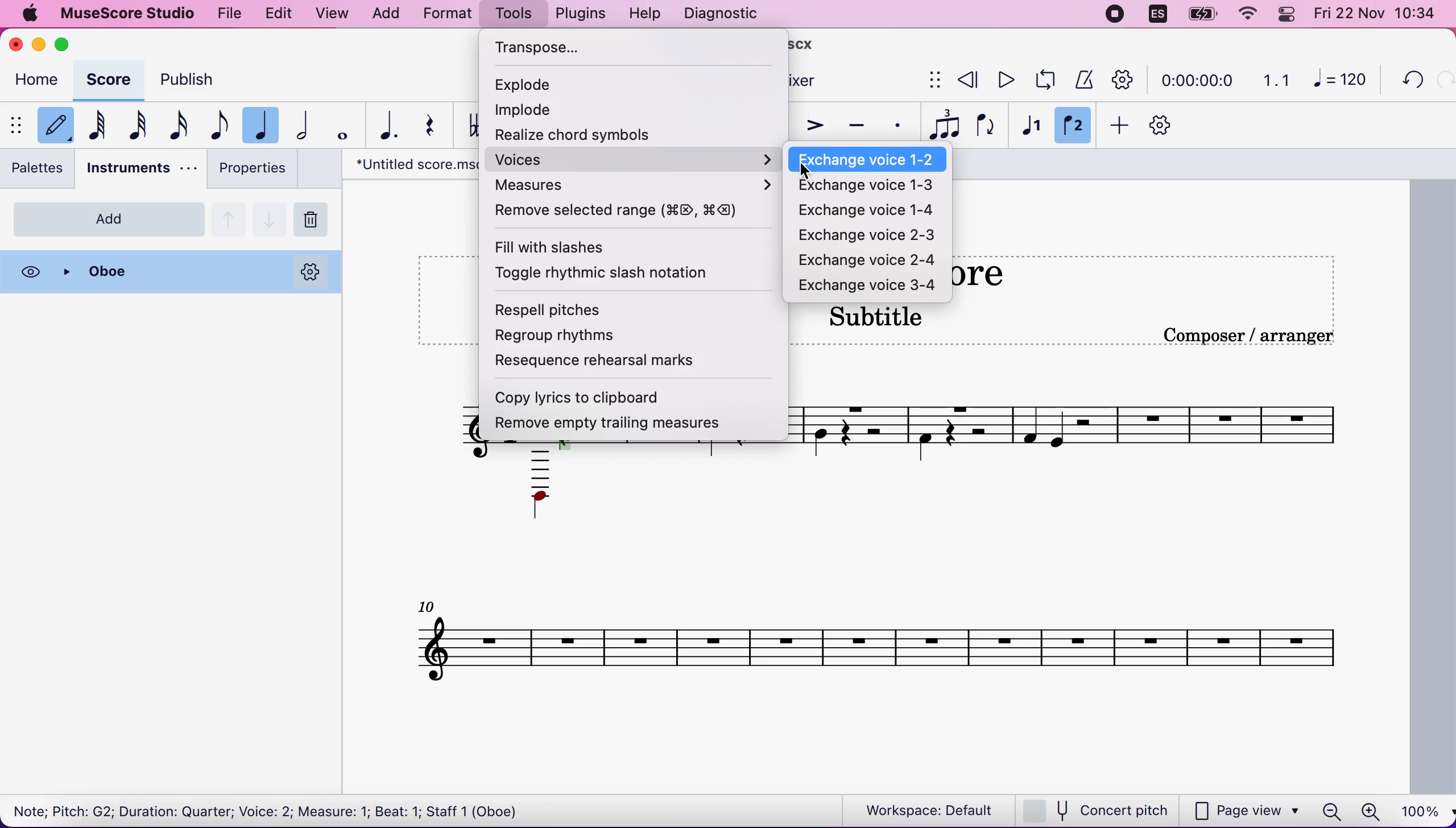 The width and height of the screenshot is (1456, 828). I want to click on half note, so click(303, 123).